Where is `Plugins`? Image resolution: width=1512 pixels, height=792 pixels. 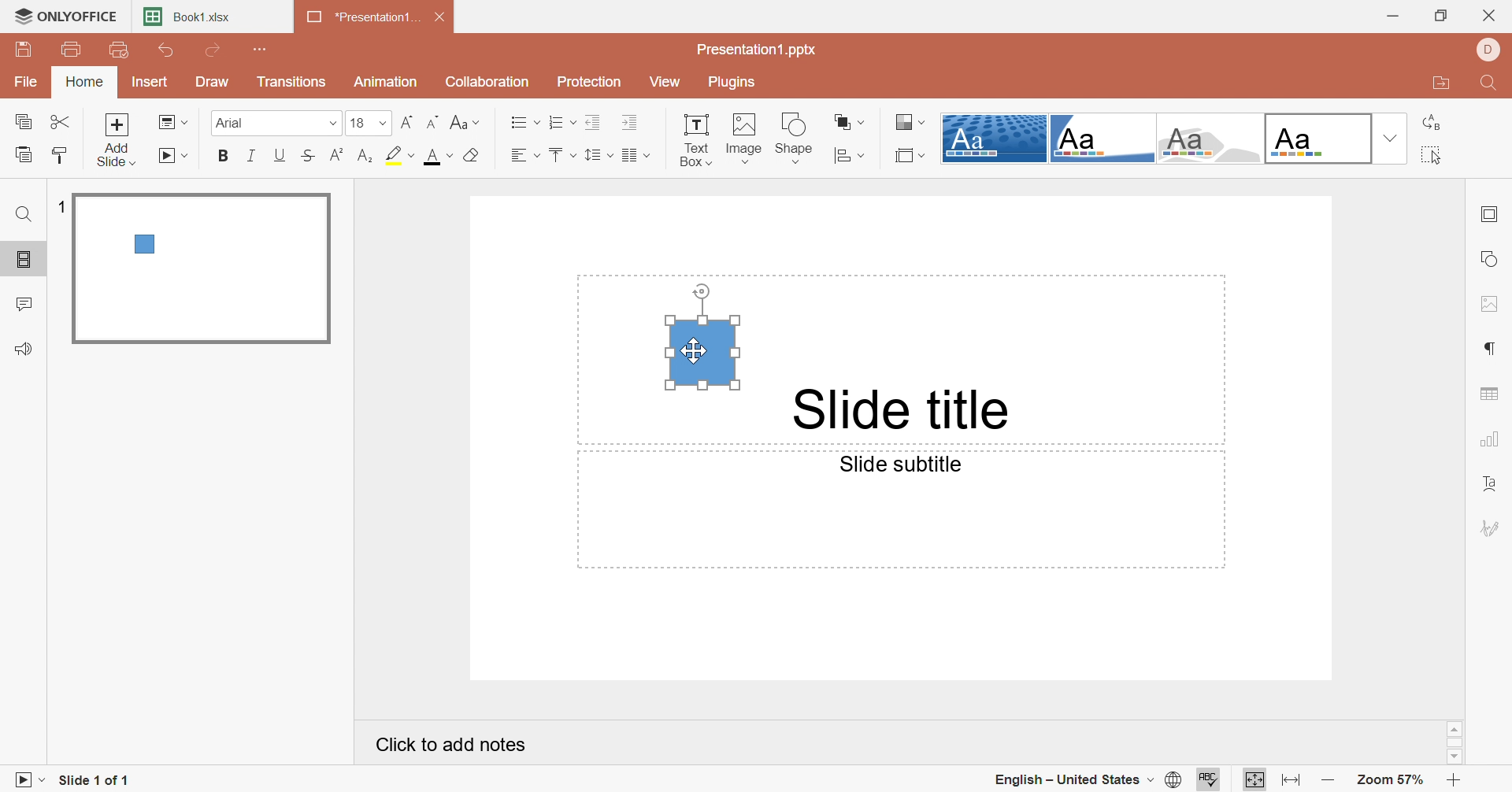
Plugins is located at coordinates (734, 83).